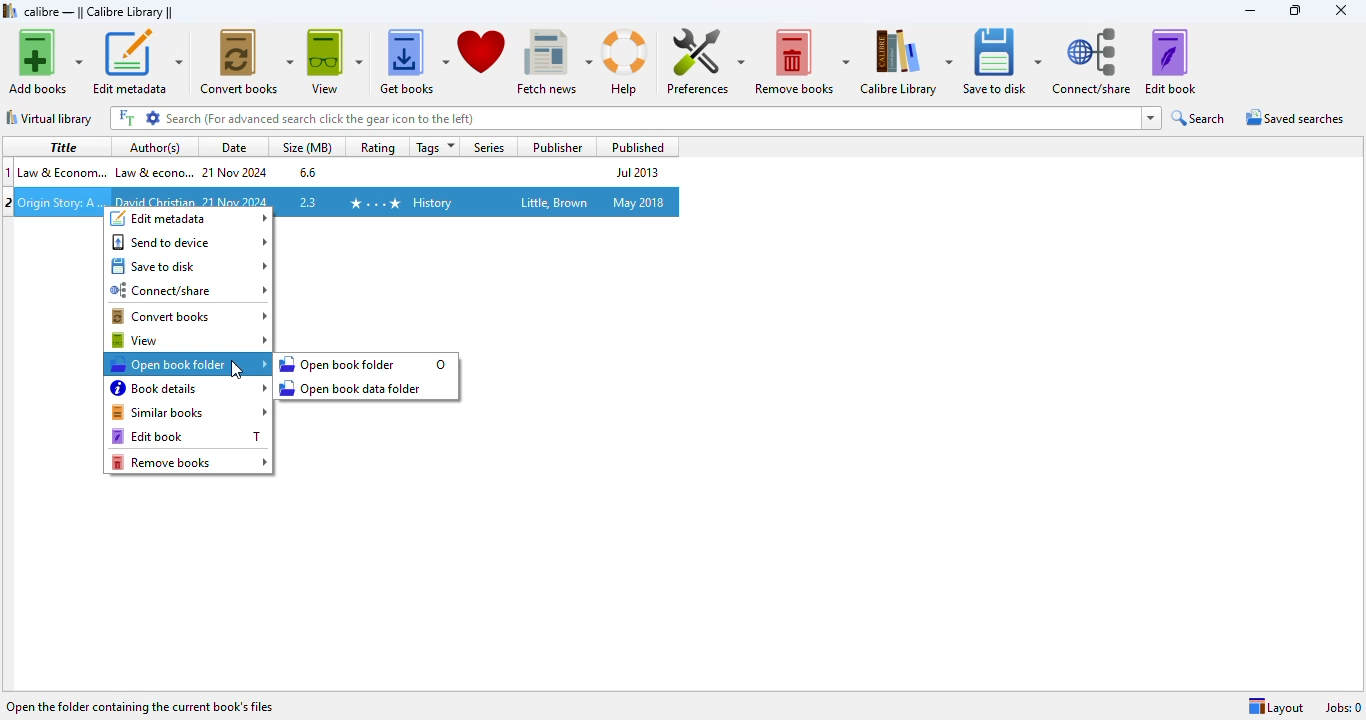  Describe the element at coordinates (1342, 11) in the screenshot. I see `close` at that location.